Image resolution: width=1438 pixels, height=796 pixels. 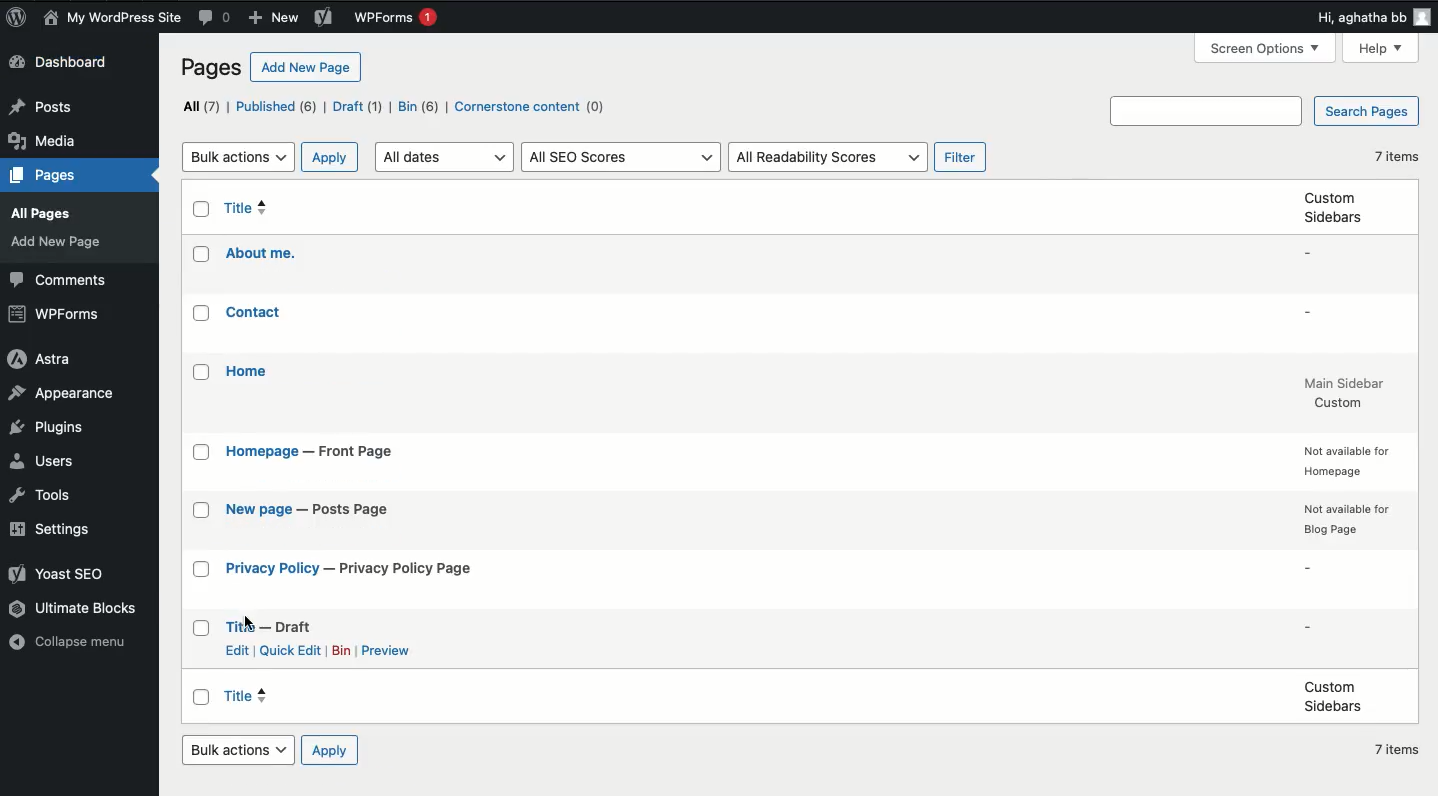 I want to click on Search pages, so click(x=1365, y=110).